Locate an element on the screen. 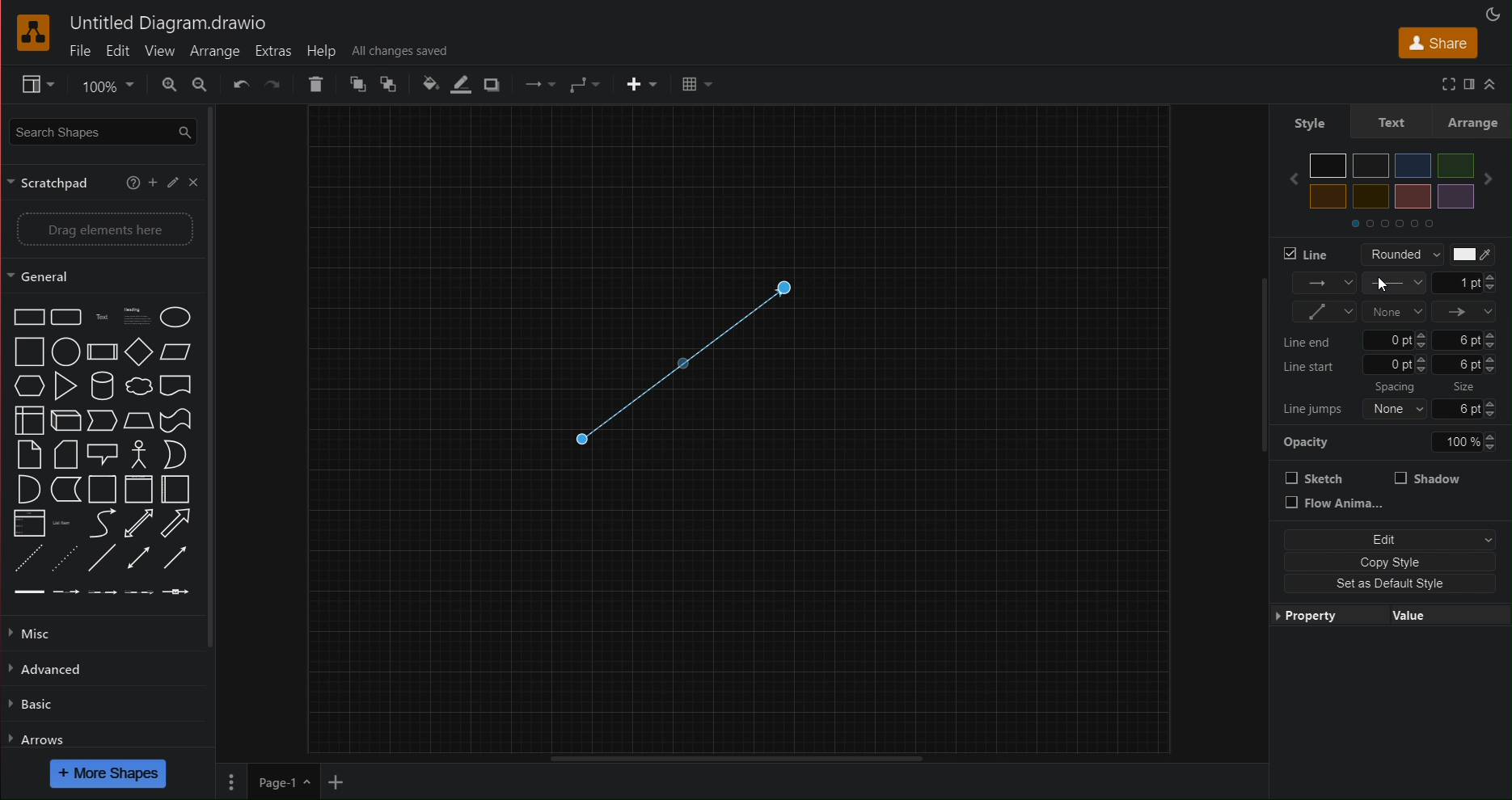 Image resolution: width=1512 pixels, height=800 pixels. Send to front is located at coordinates (357, 84).